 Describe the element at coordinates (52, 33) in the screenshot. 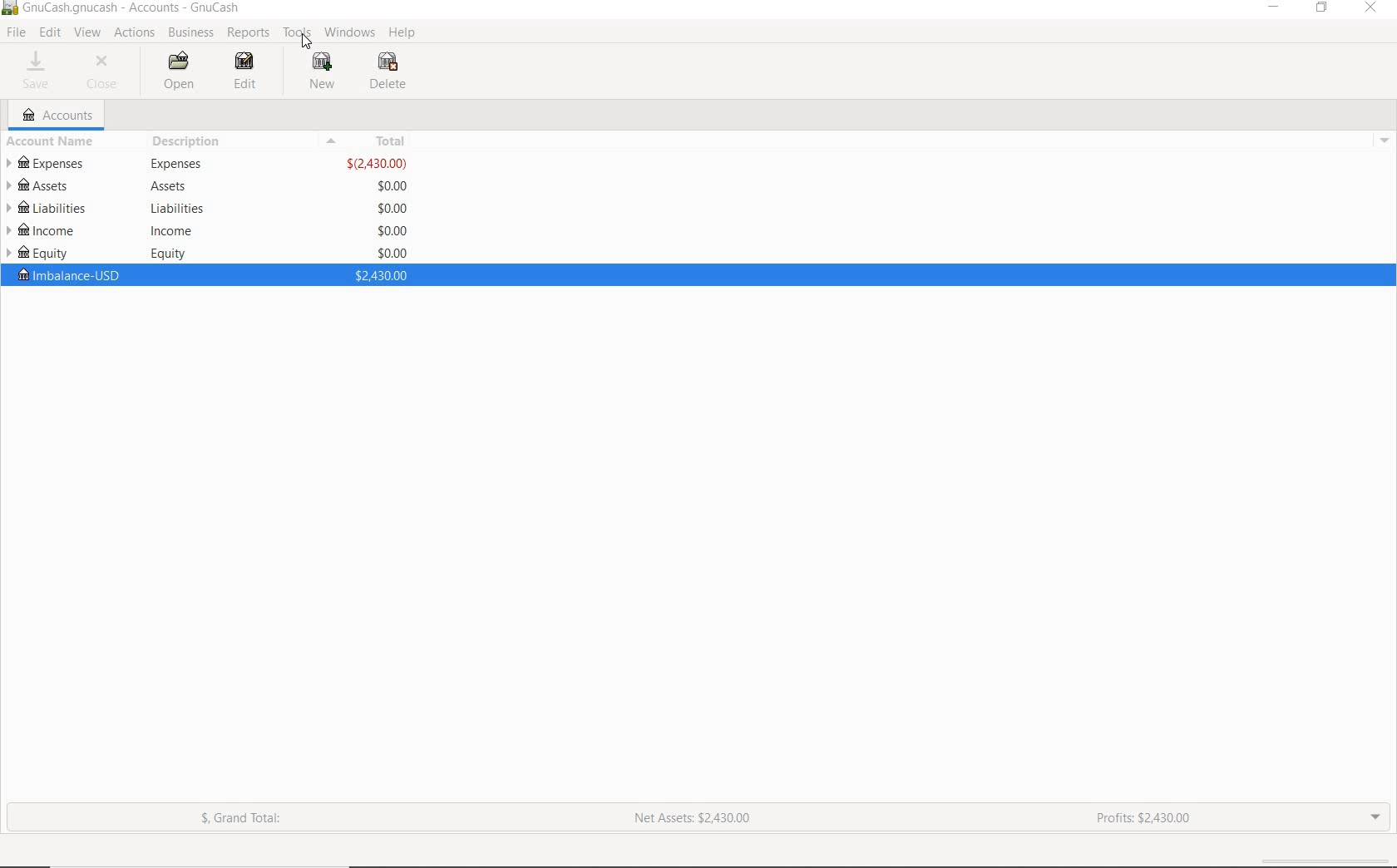

I see `EDIT` at that location.